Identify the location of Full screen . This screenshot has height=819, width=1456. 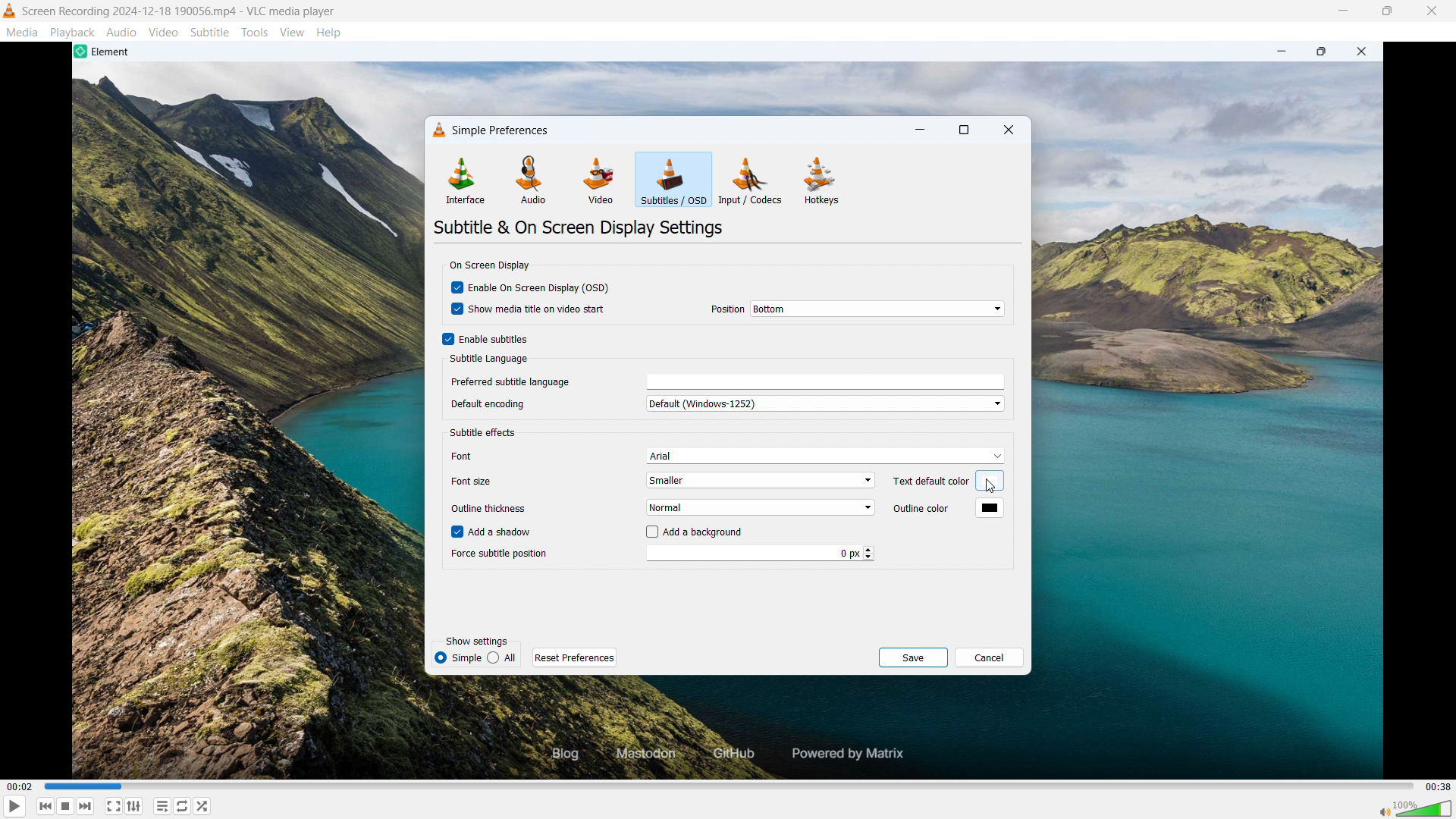
(114, 805).